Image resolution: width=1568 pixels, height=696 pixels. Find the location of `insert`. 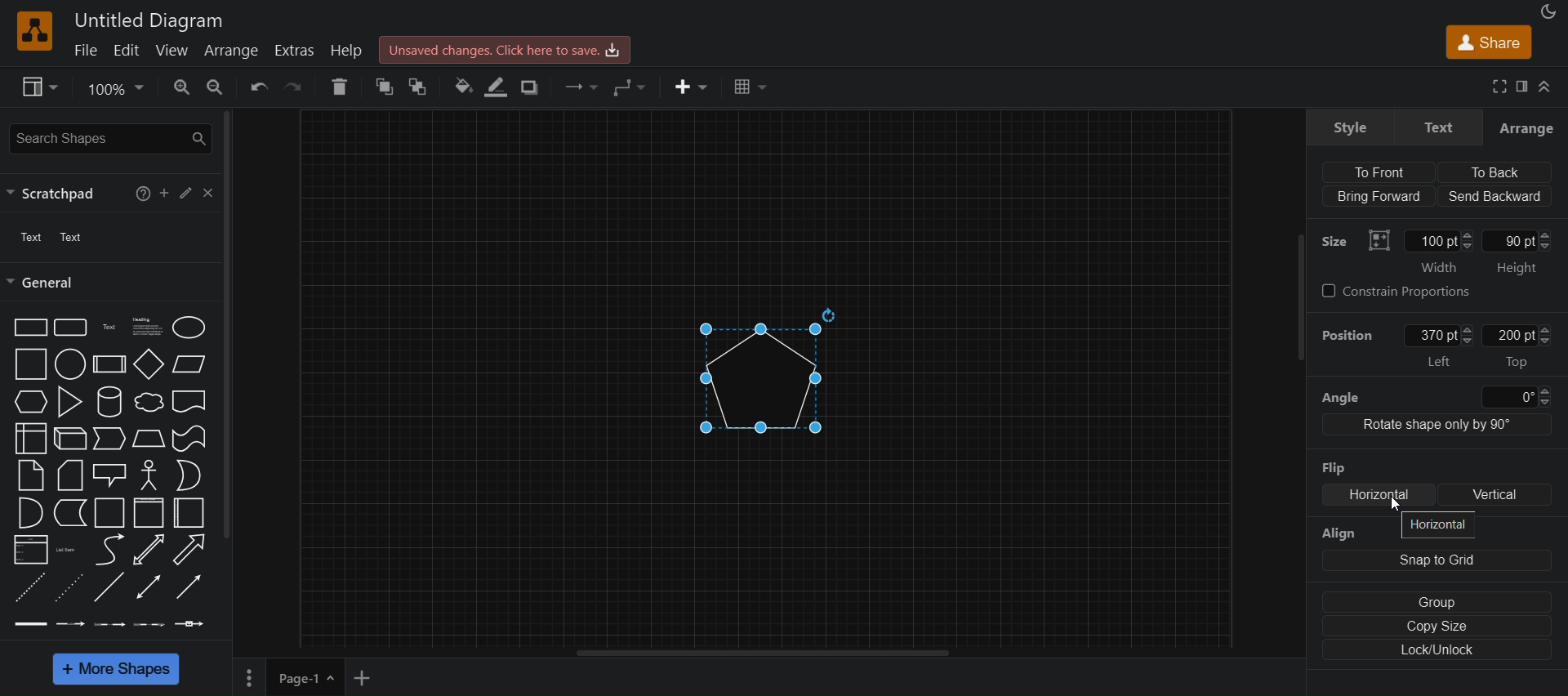

insert is located at coordinates (691, 86).